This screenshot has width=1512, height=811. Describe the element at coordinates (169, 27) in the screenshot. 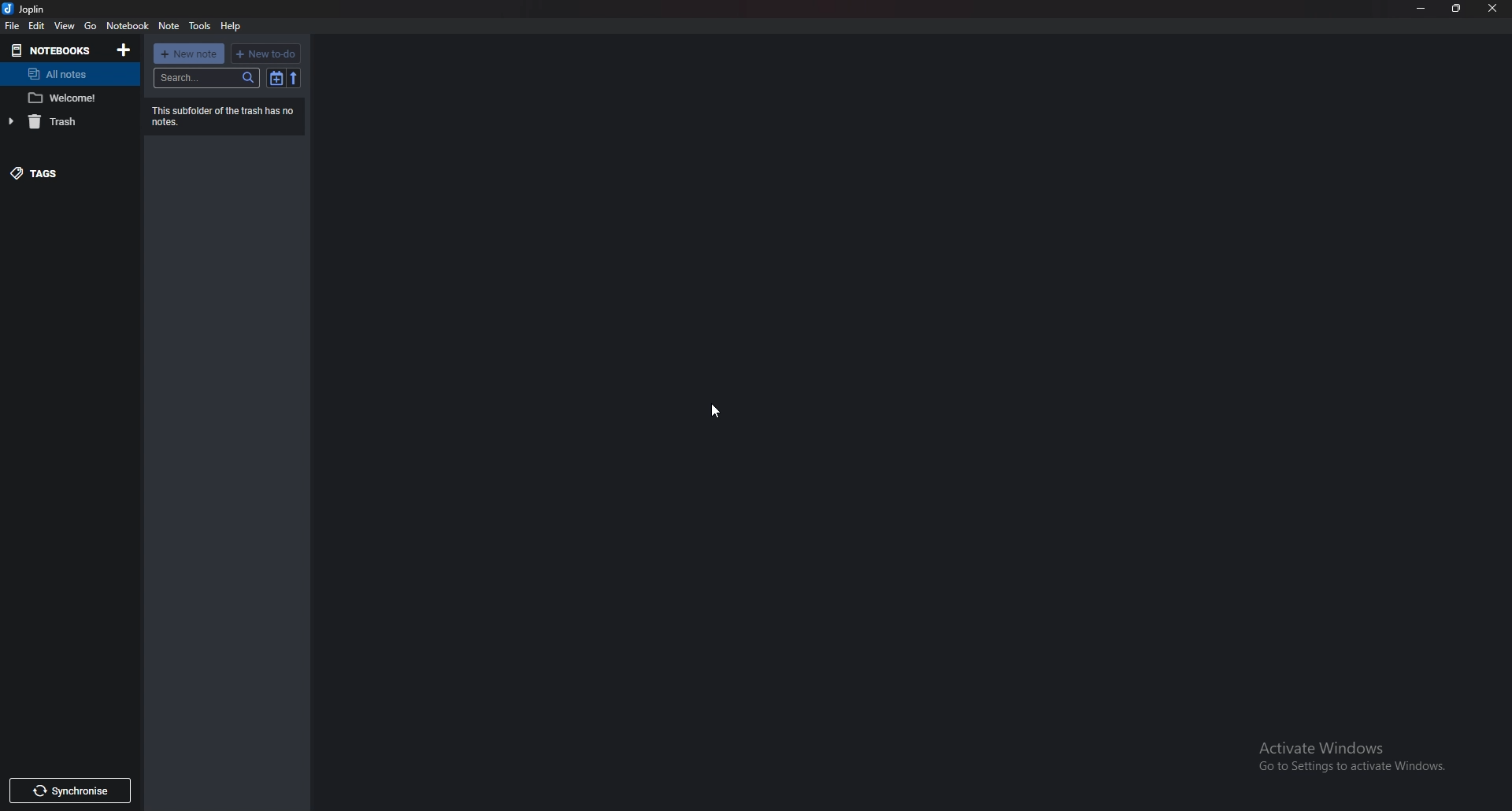

I see `note` at that location.